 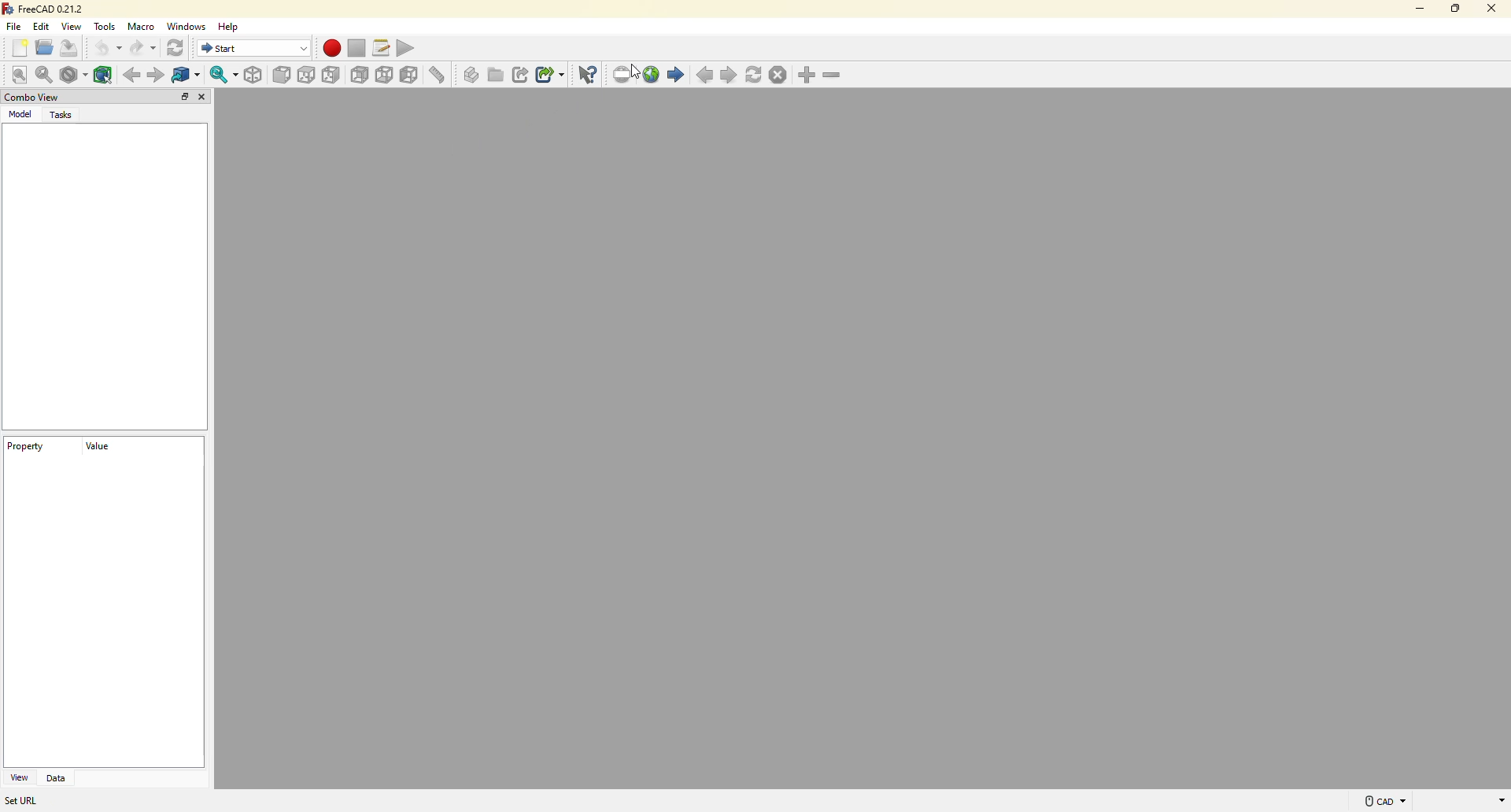 What do you see at coordinates (640, 74) in the screenshot?
I see `cursor` at bounding box center [640, 74].